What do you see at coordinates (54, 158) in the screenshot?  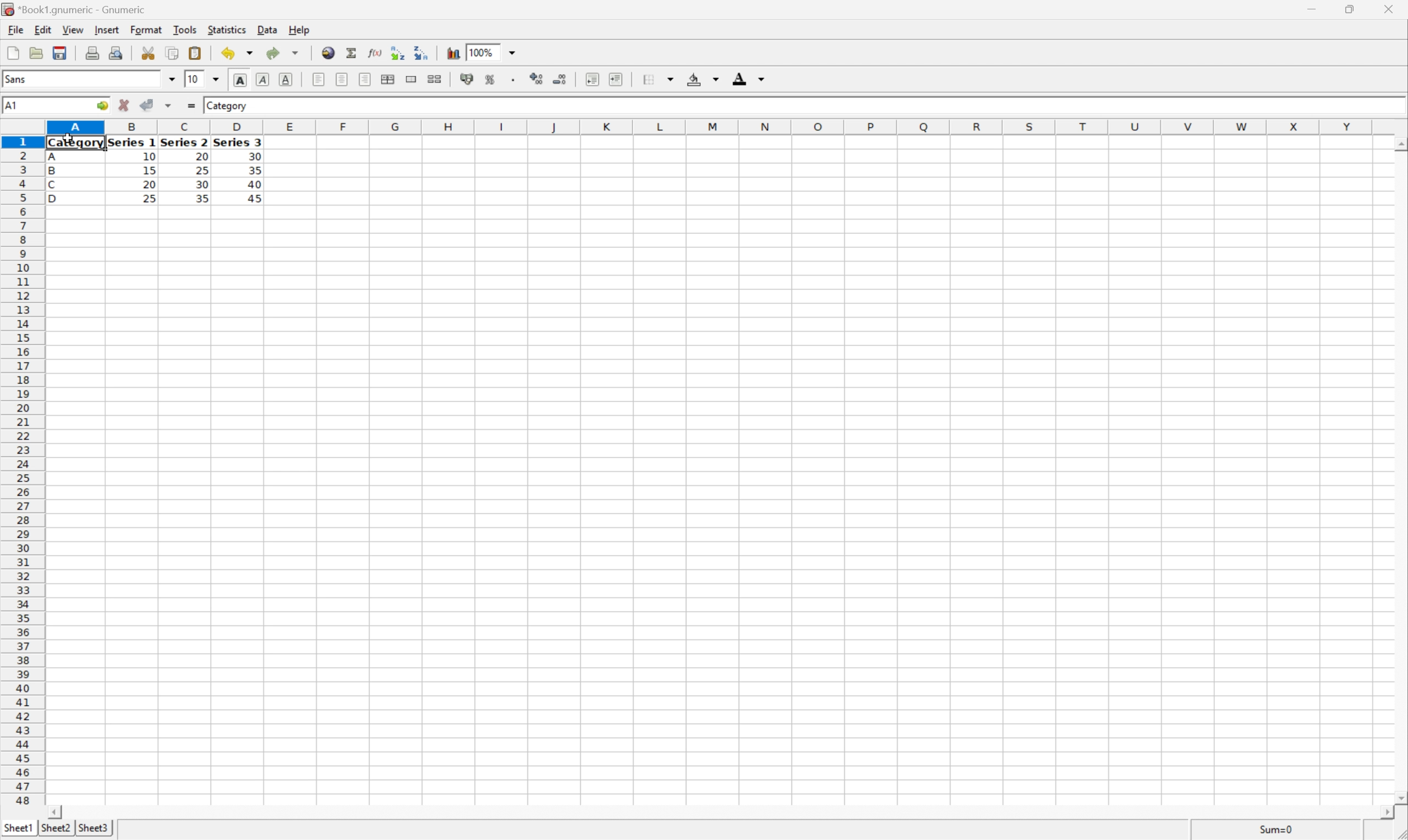 I see `A` at bounding box center [54, 158].